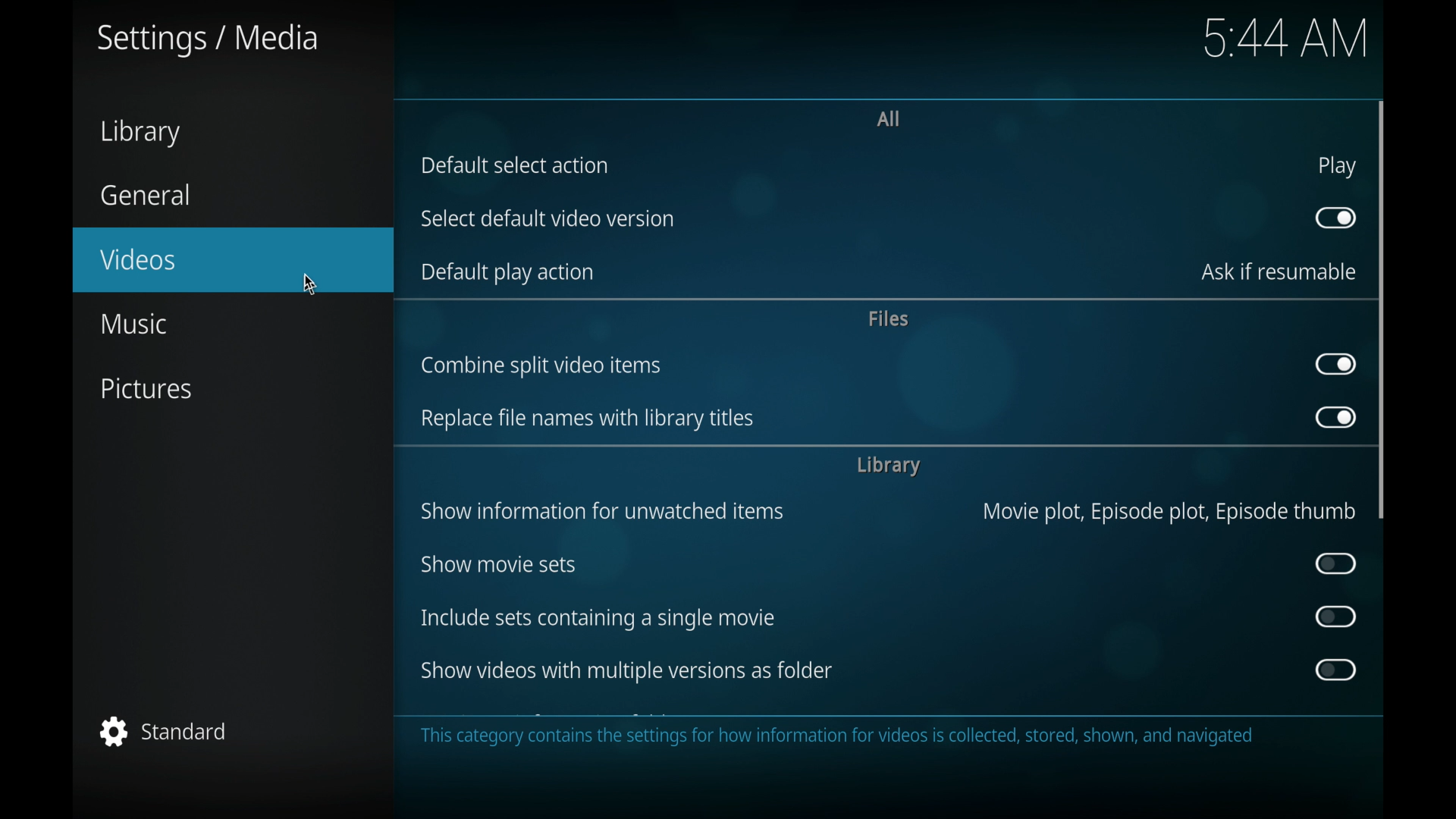  What do you see at coordinates (596, 619) in the screenshot?
I see `include sets` at bounding box center [596, 619].